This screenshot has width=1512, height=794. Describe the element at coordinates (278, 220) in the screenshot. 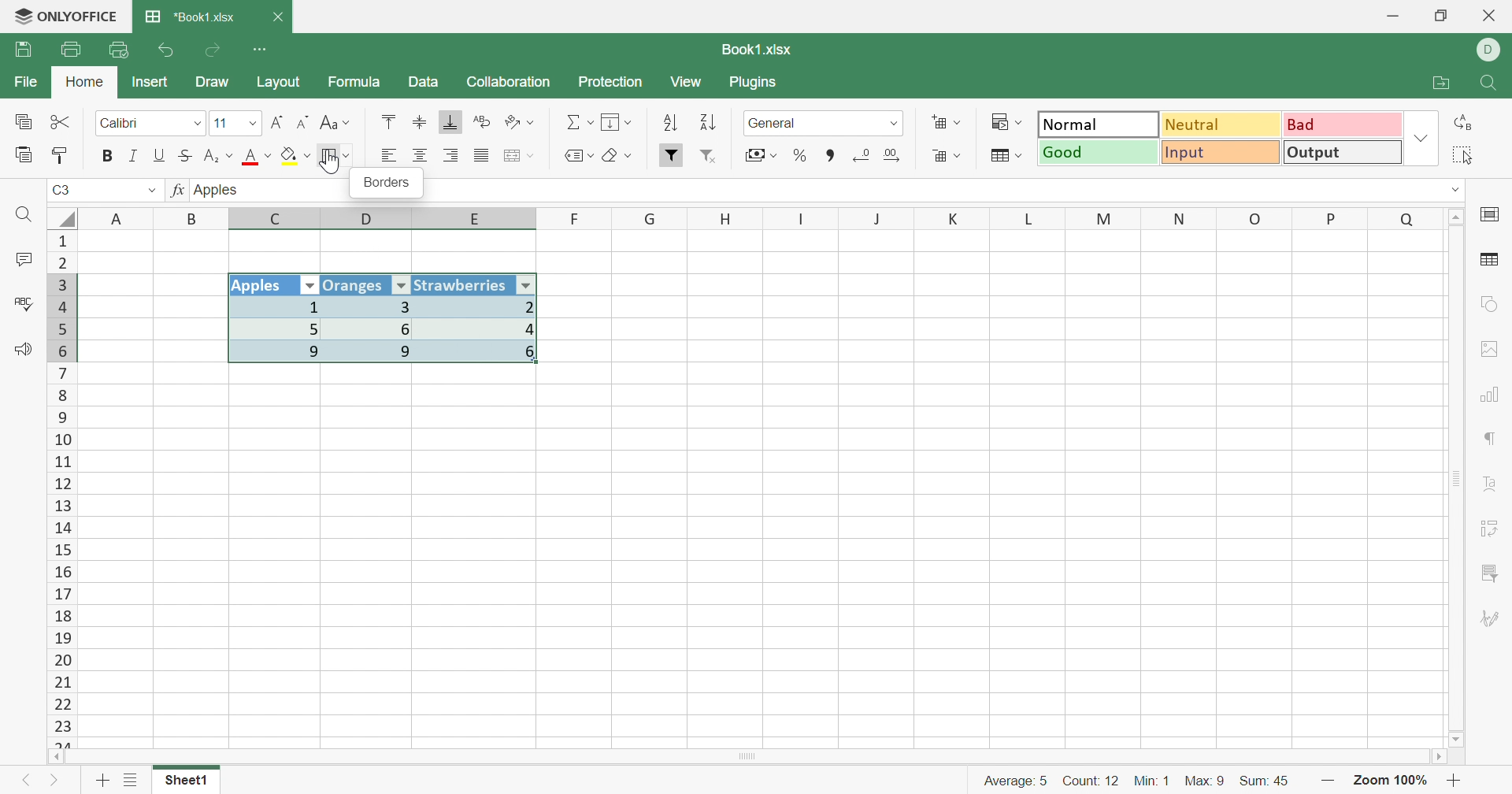

I see `C` at that location.